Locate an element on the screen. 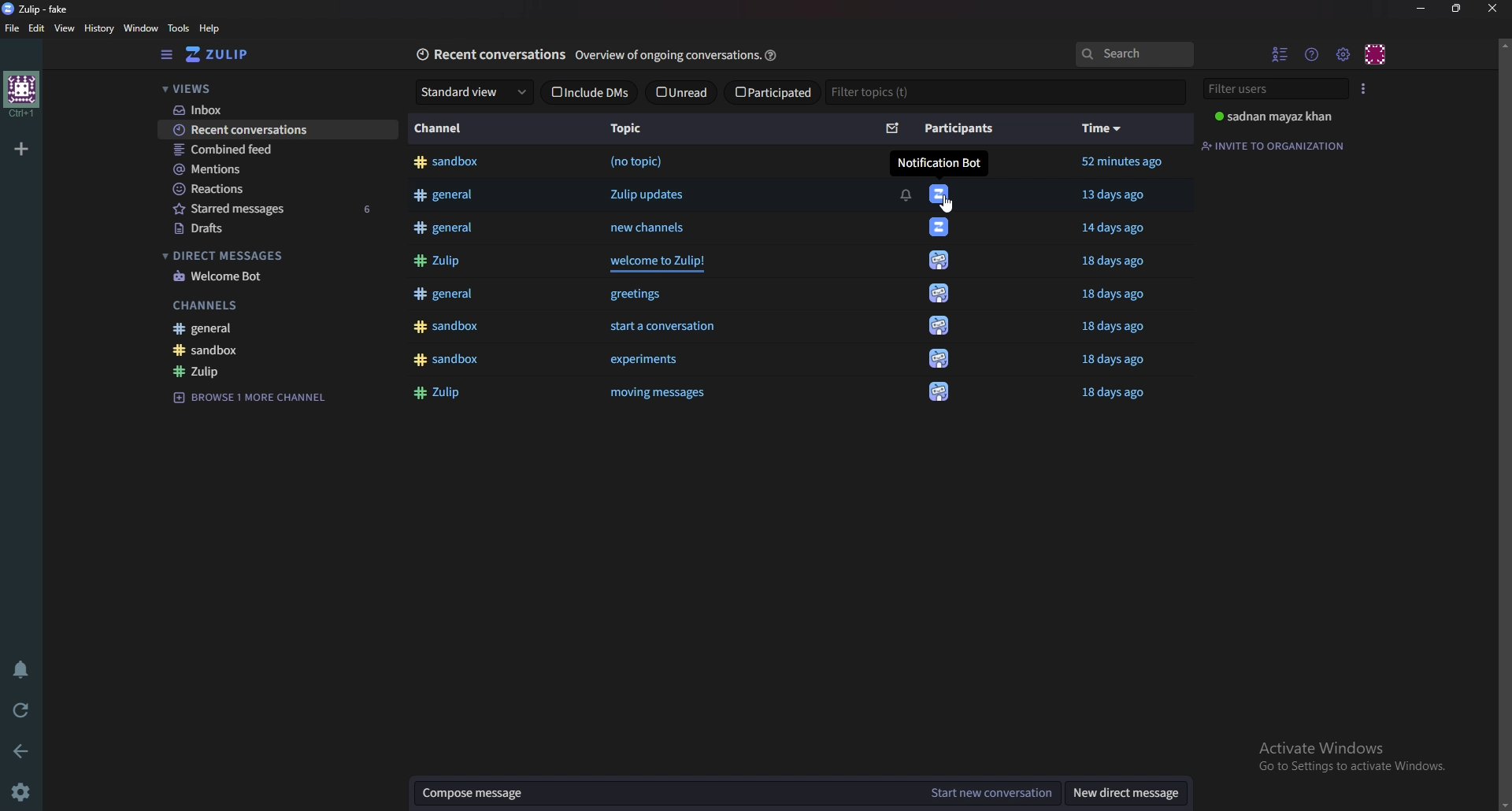  icon is located at coordinates (939, 357).